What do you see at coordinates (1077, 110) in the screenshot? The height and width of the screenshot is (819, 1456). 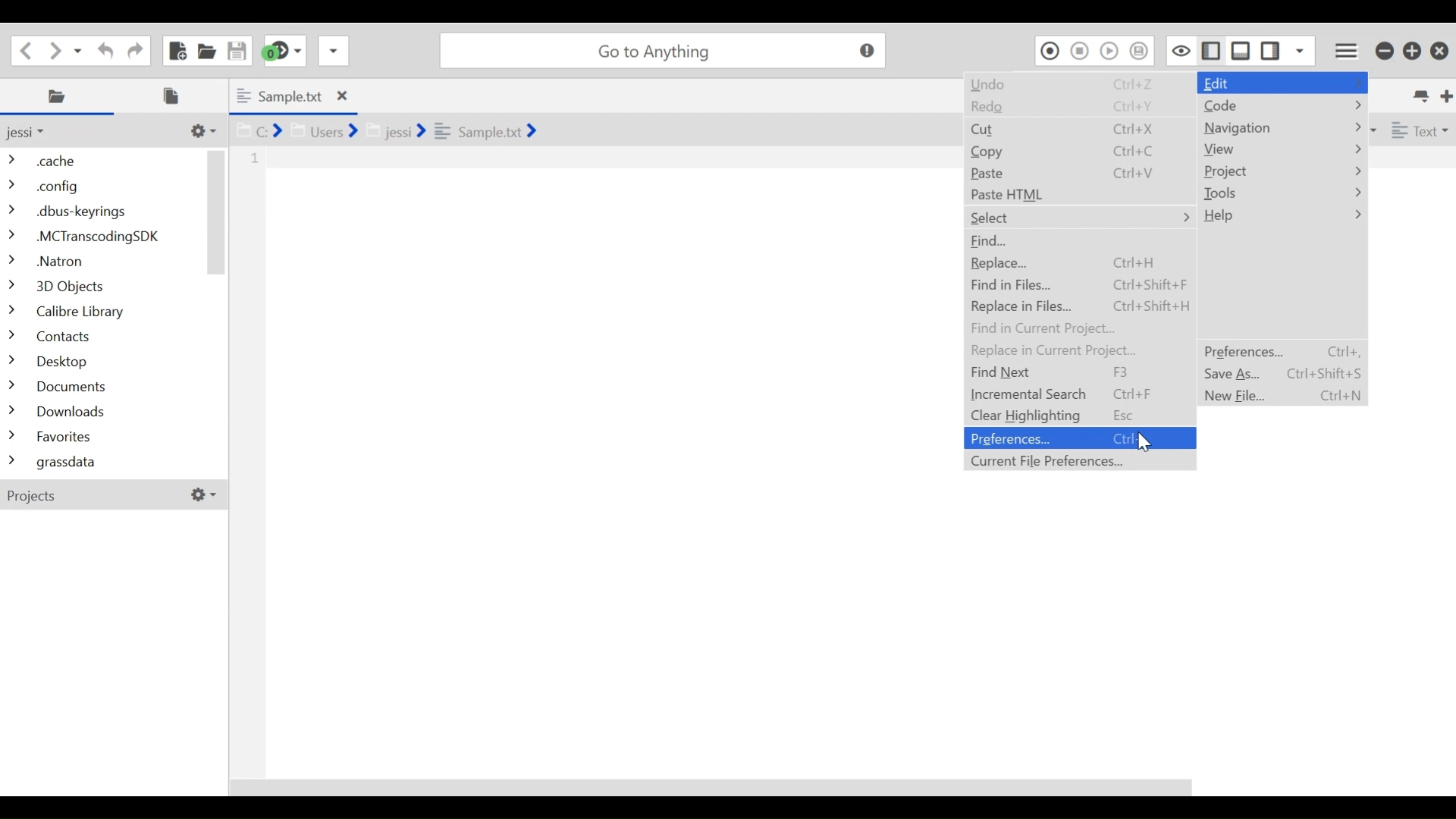 I see `Redo` at bounding box center [1077, 110].